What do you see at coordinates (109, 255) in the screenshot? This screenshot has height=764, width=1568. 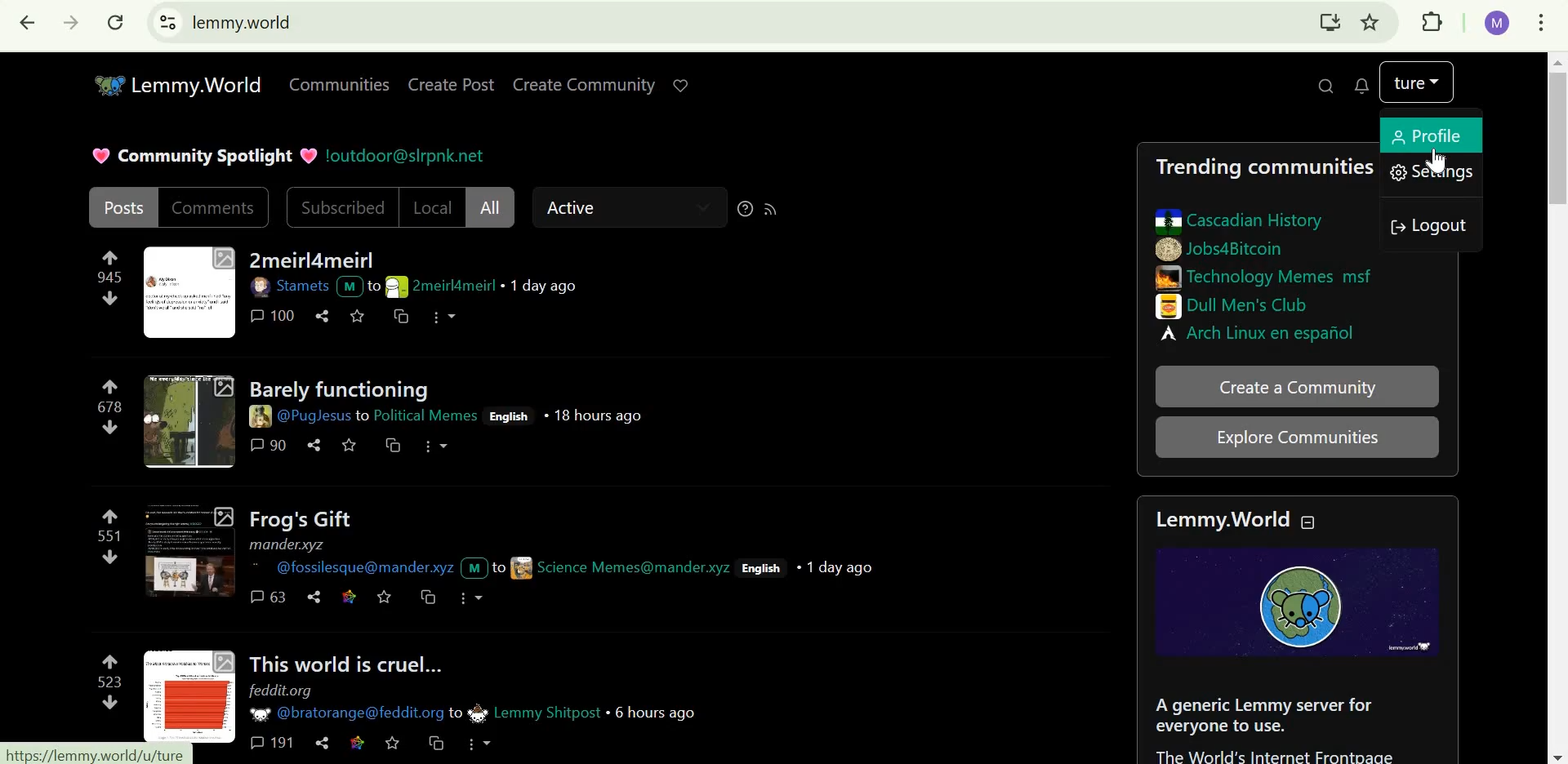 I see `Upvote` at bounding box center [109, 255].